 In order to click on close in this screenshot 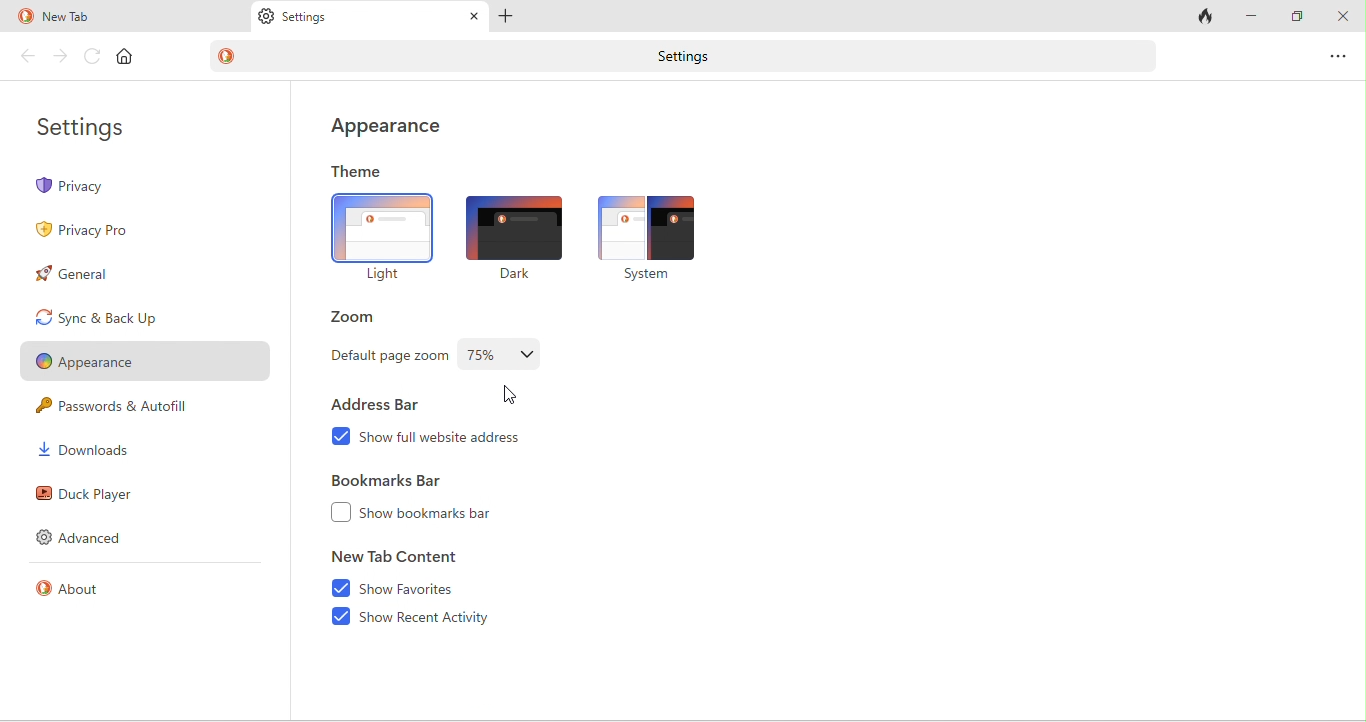, I will do `click(1343, 18)`.